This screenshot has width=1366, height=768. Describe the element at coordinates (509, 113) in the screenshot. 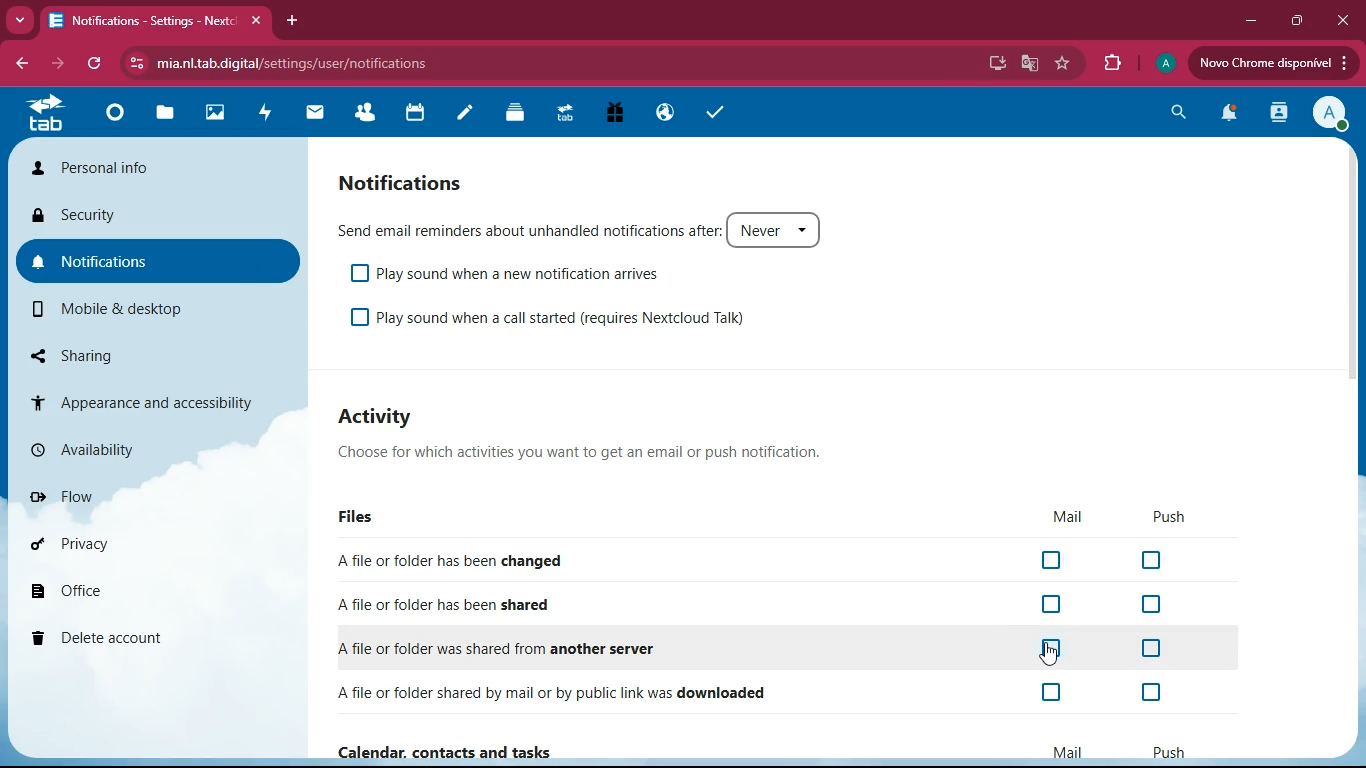

I see `layers` at that location.